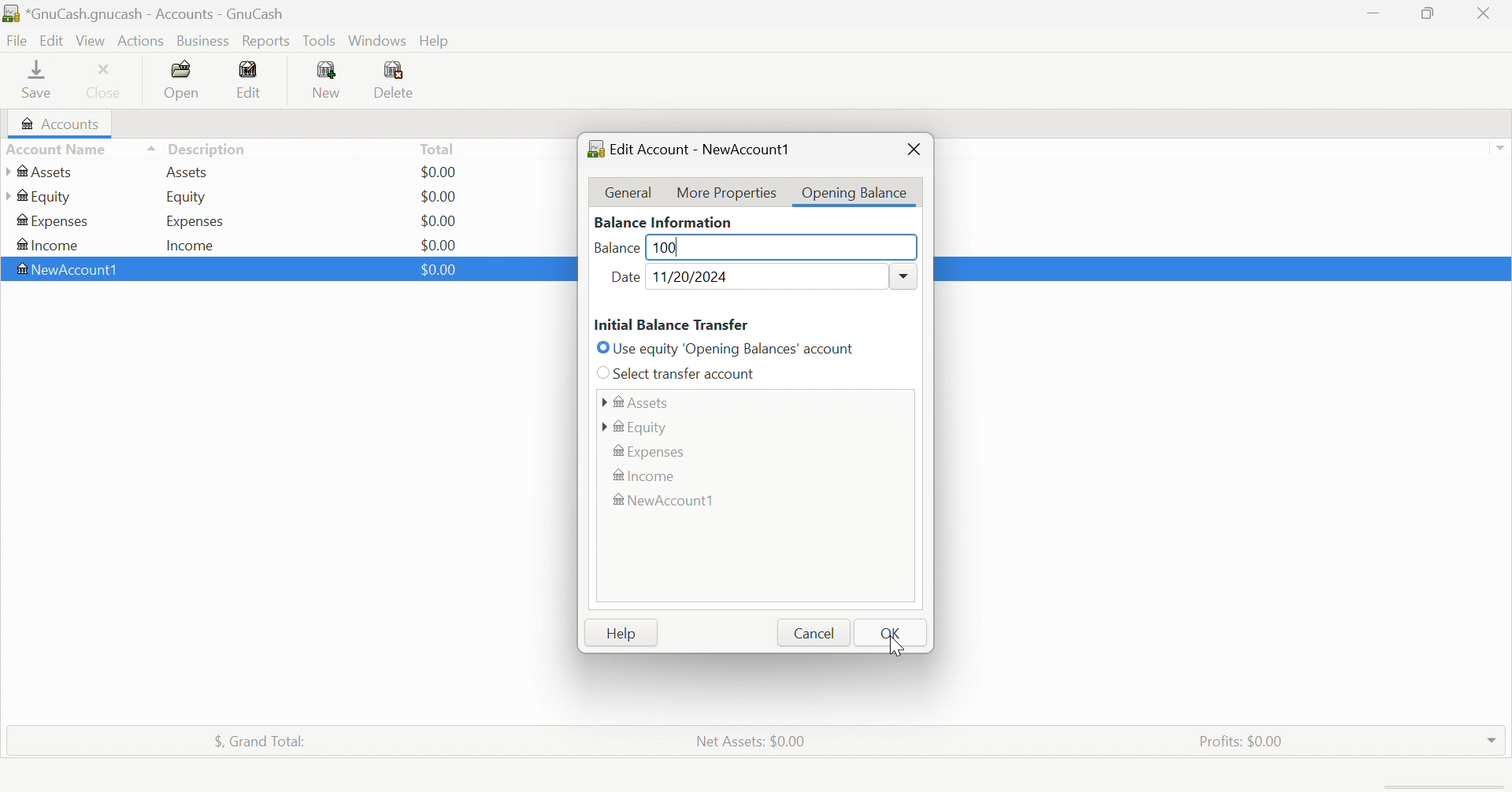  Describe the element at coordinates (1492, 740) in the screenshot. I see `Drop Down` at that location.